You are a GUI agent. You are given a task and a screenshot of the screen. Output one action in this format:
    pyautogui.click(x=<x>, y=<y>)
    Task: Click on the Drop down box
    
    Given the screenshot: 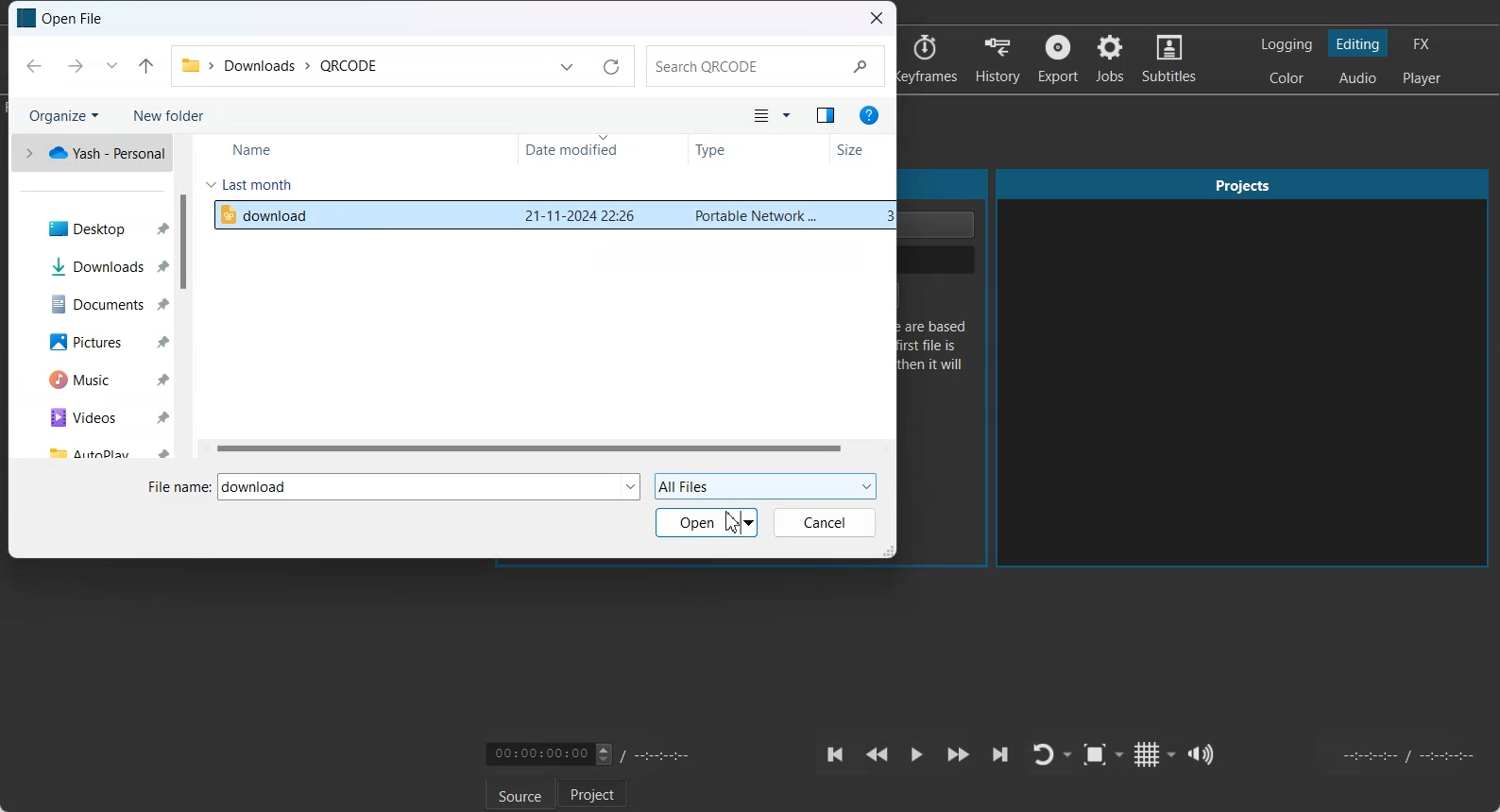 What is the action you would take?
    pyautogui.click(x=1069, y=755)
    